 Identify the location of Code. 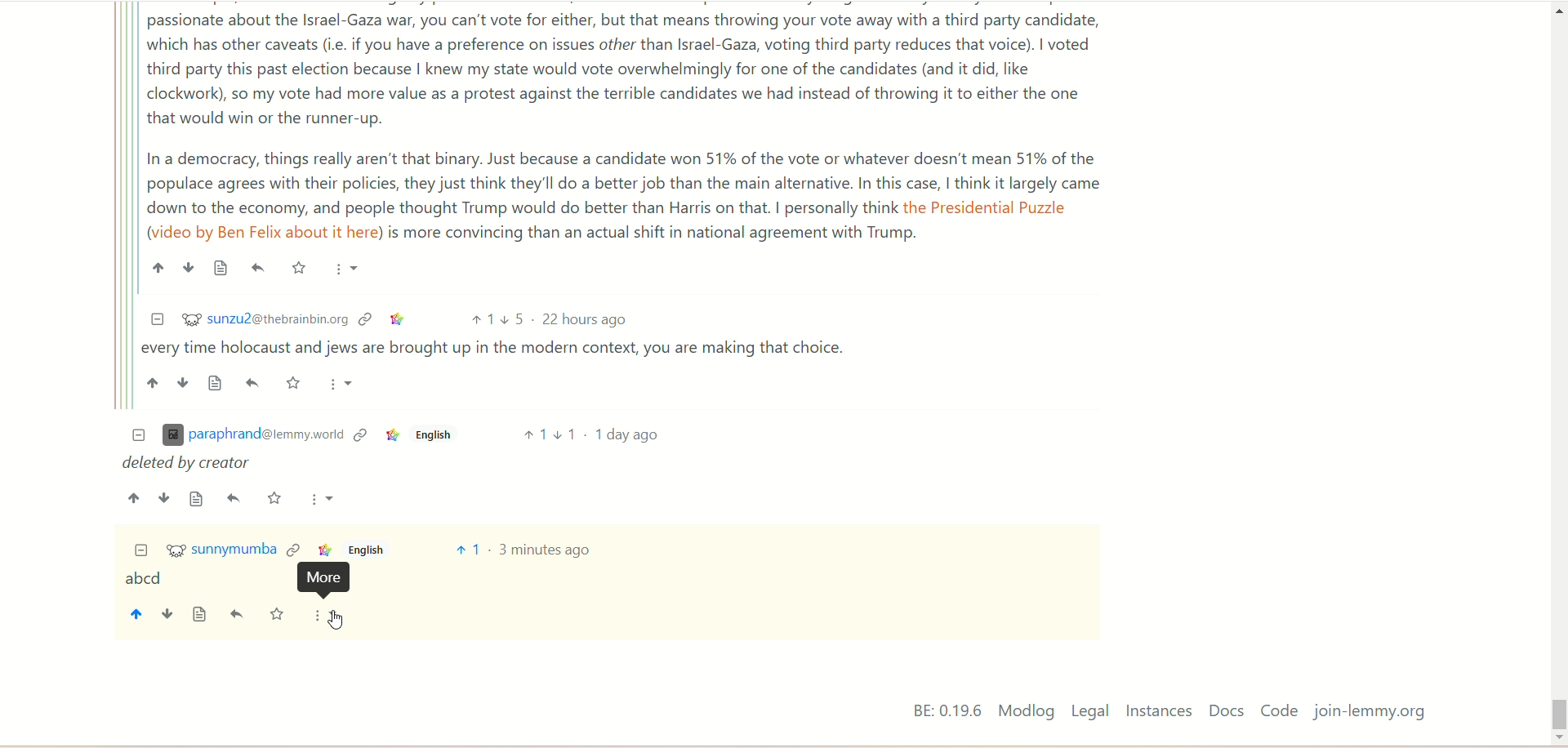
(1279, 710).